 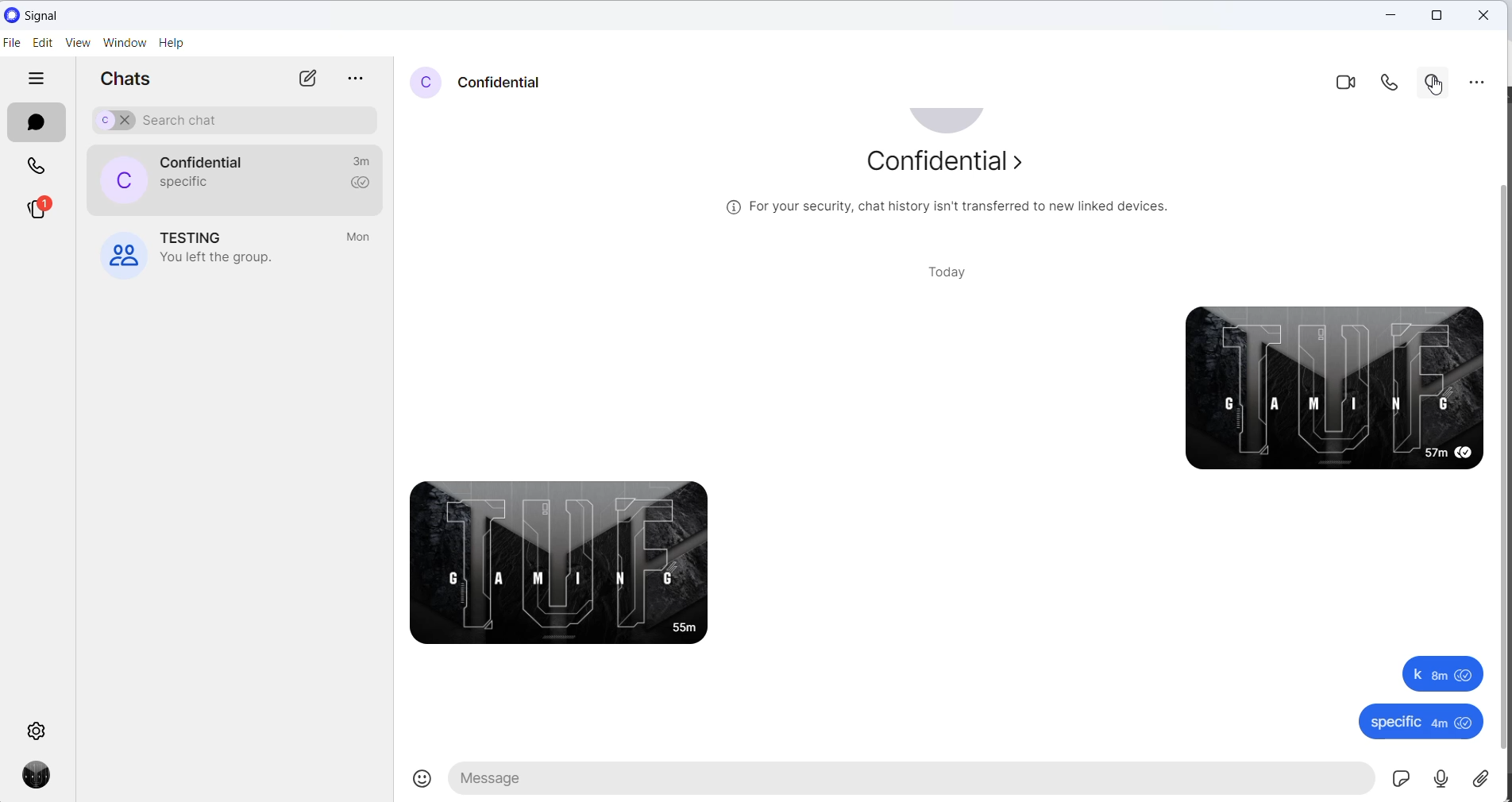 I want to click on profile, so click(x=44, y=777).